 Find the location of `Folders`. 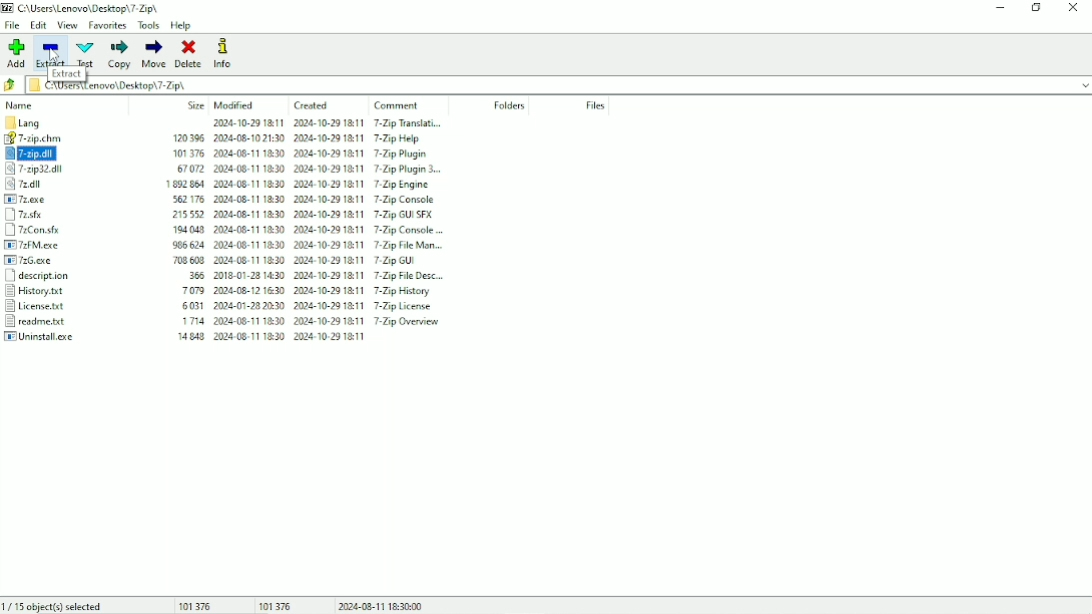

Folders is located at coordinates (508, 106).